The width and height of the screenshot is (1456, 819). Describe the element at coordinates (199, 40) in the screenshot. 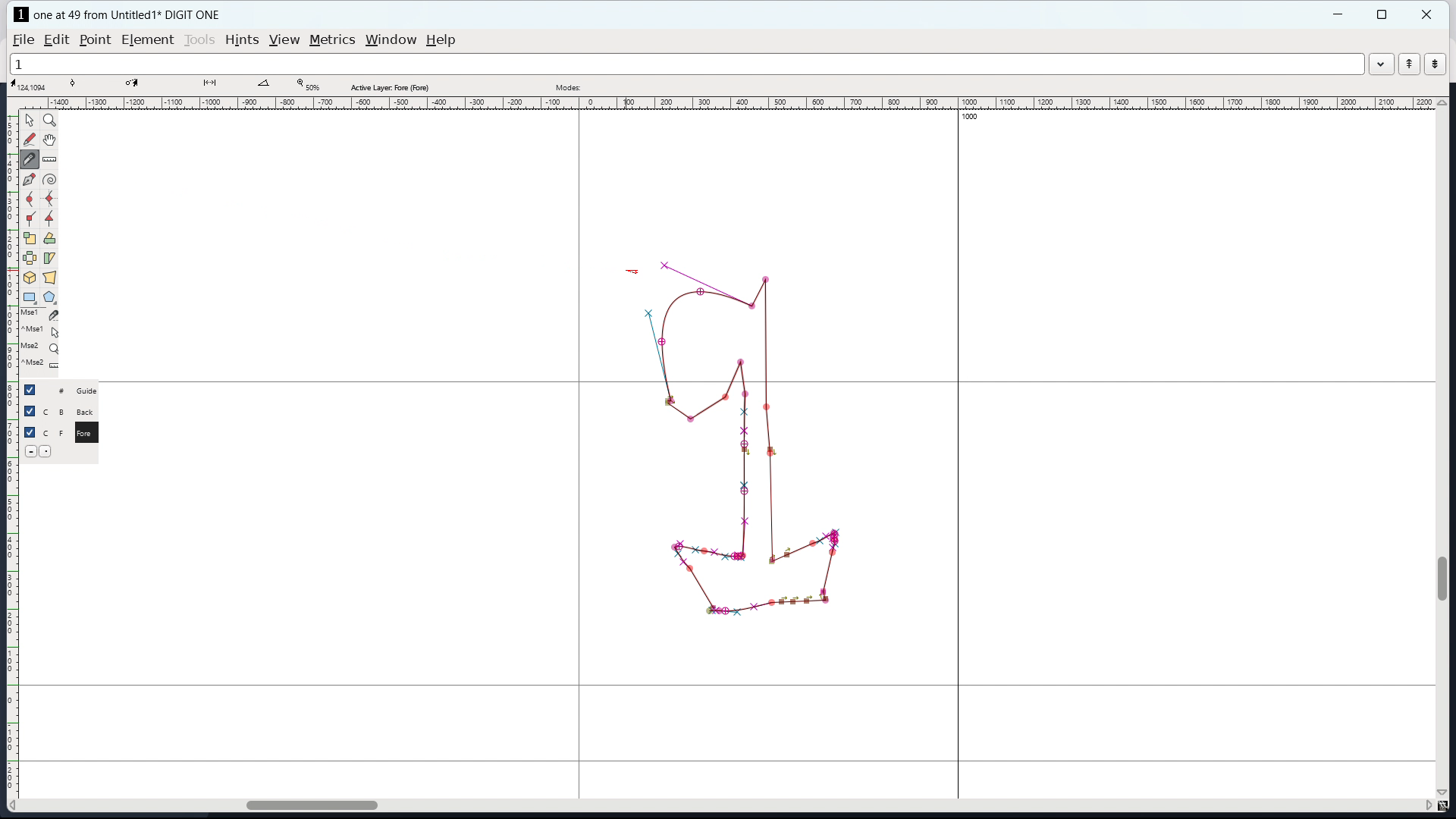

I see `tools` at that location.